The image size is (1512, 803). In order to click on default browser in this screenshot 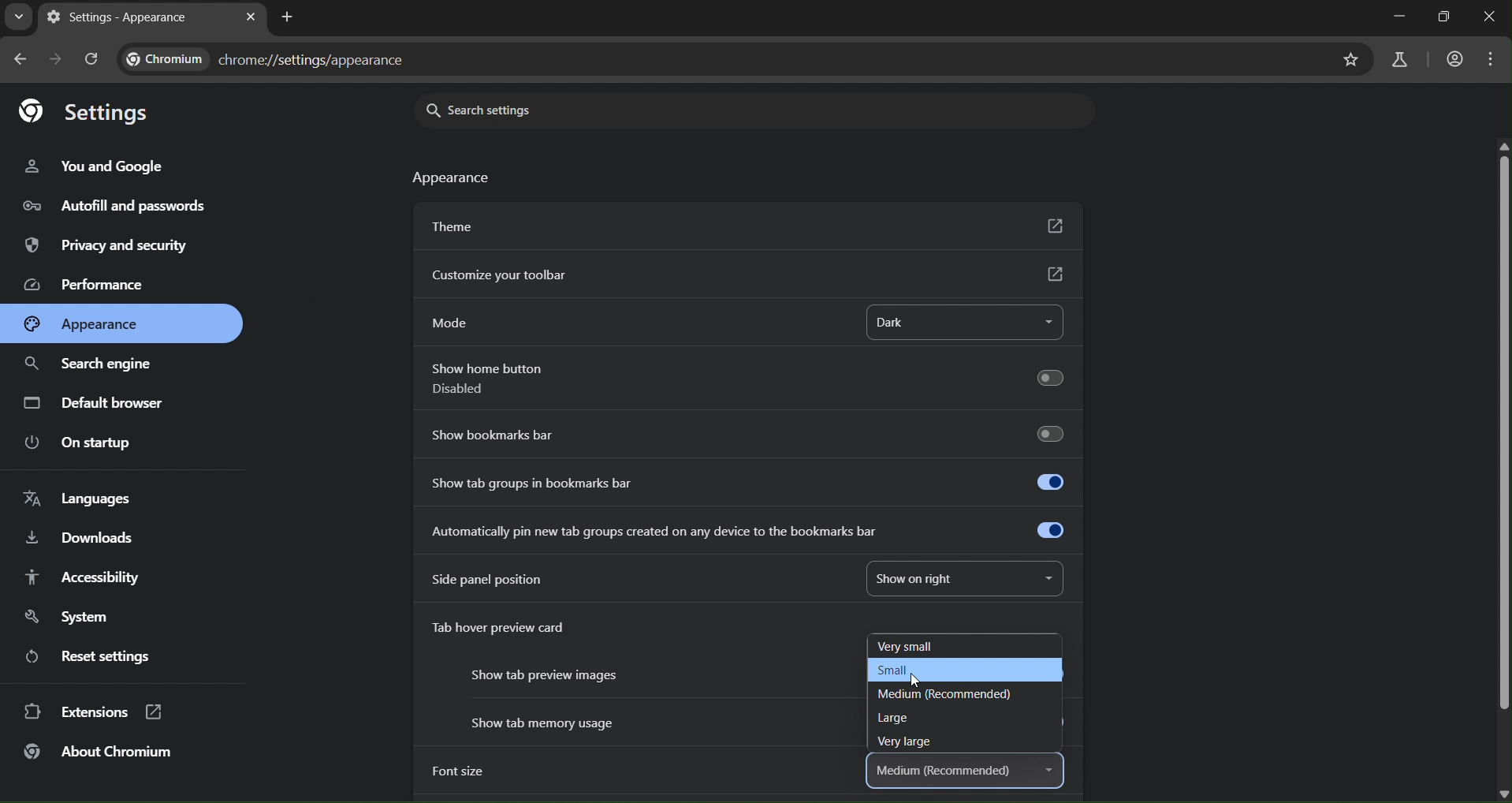, I will do `click(100, 405)`.